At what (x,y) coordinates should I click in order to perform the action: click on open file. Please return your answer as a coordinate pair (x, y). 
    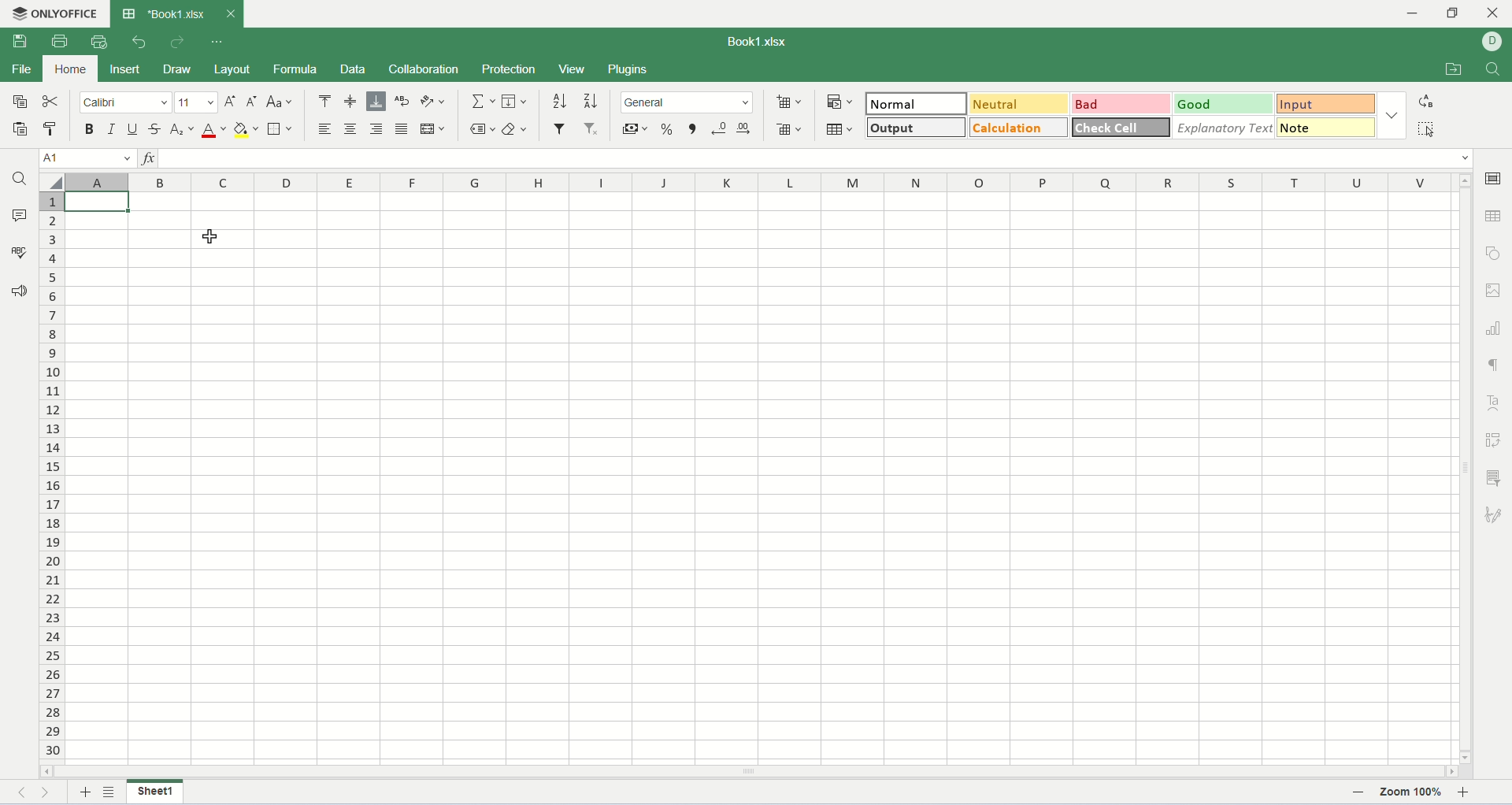
    Looking at the image, I should click on (1451, 69).